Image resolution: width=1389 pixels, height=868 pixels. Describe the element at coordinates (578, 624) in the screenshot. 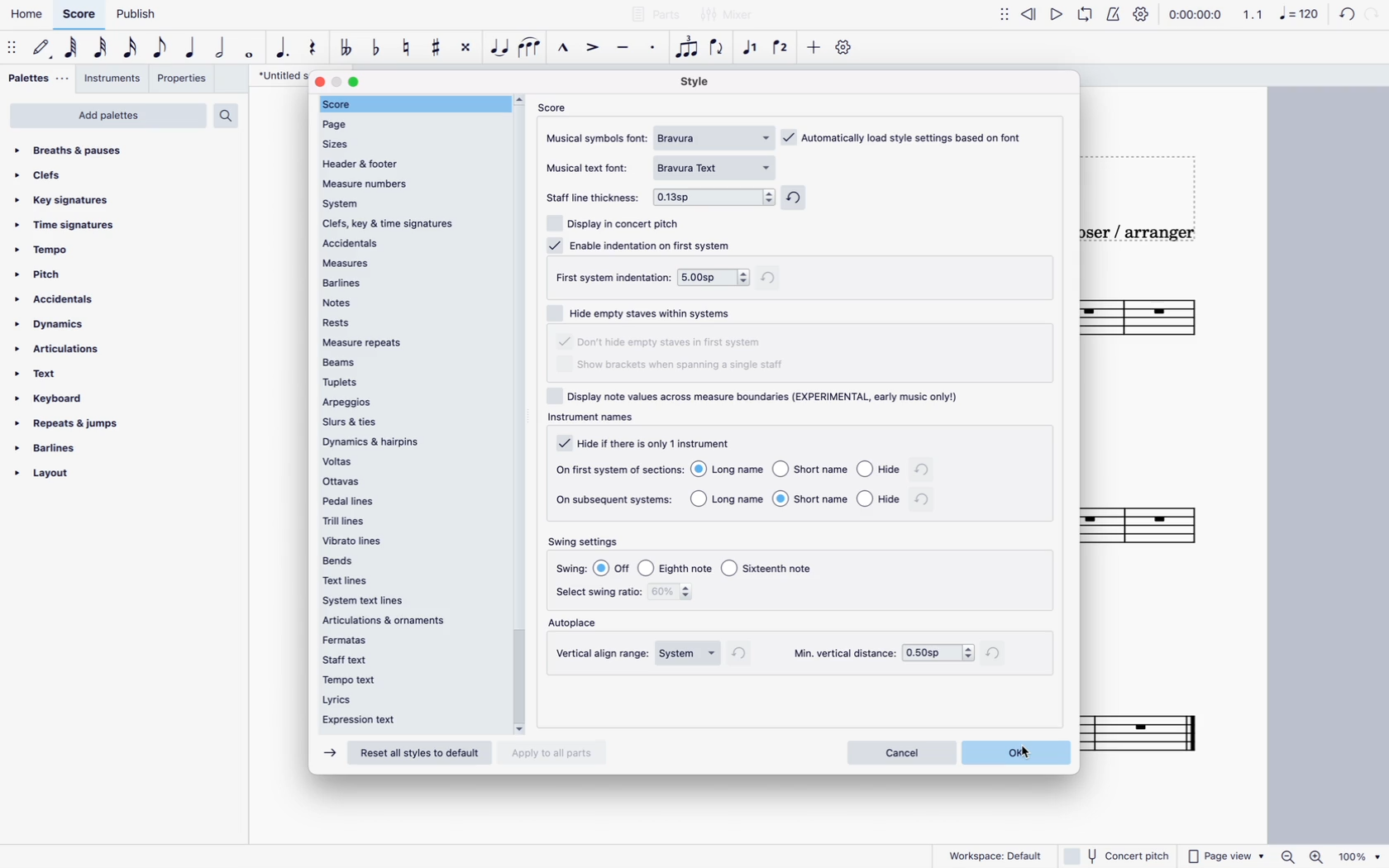

I see `autoplace` at that location.